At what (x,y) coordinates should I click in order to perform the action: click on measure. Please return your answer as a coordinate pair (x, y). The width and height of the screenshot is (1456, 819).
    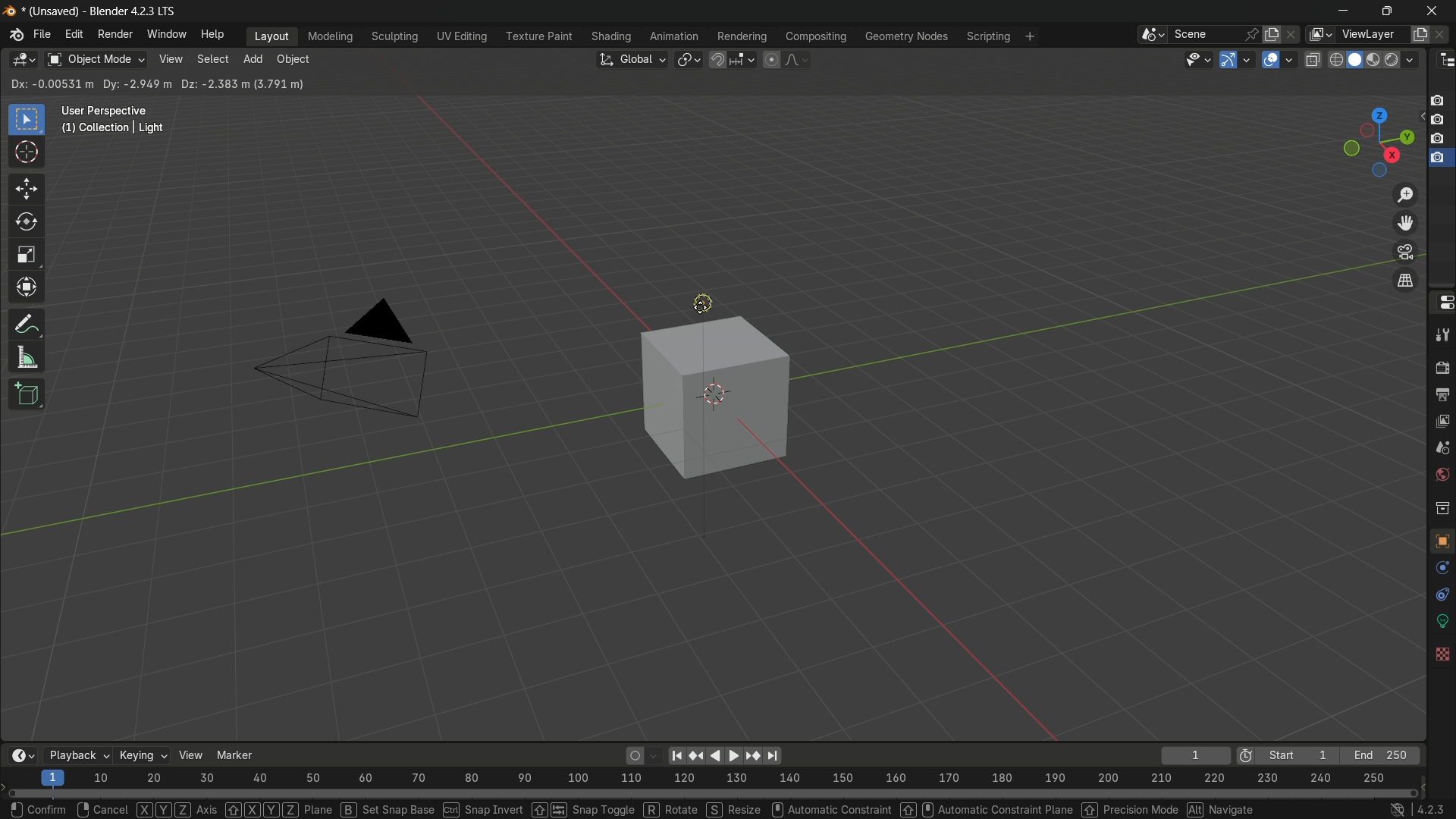
    Looking at the image, I should click on (30, 358).